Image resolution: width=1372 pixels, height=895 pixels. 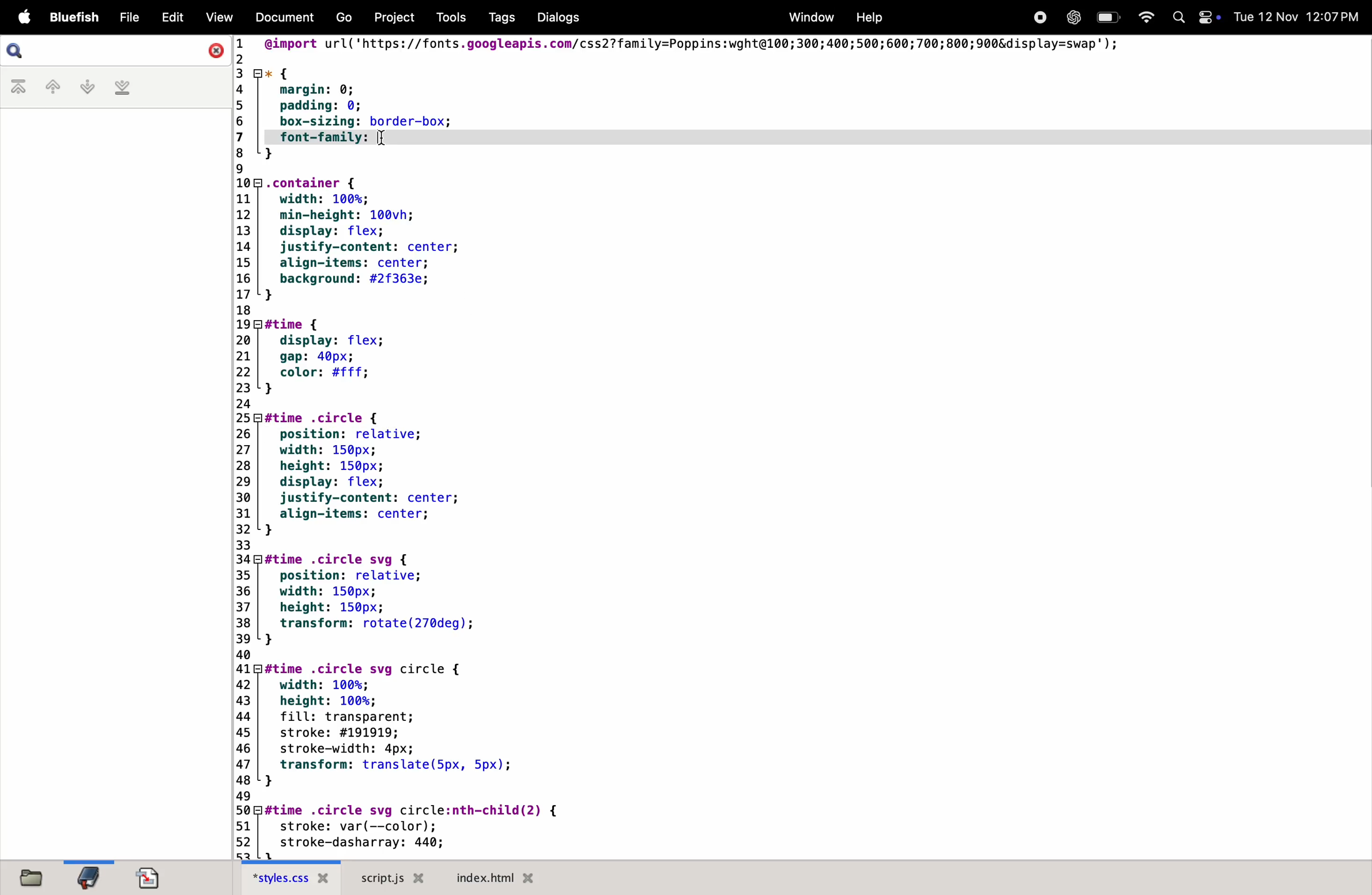 What do you see at coordinates (345, 18) in the screenshot?
I see `go` at bounding box center [345, 18].